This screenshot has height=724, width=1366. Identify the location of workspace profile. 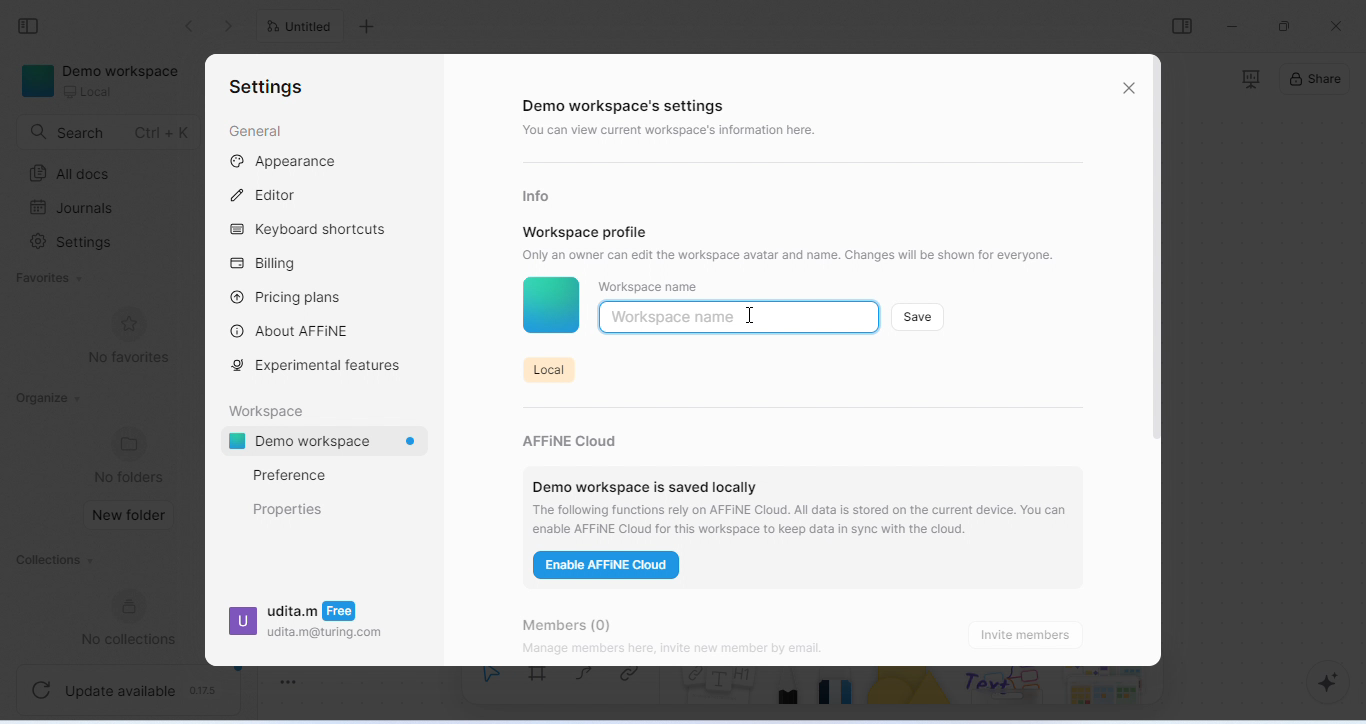
(586, 231).